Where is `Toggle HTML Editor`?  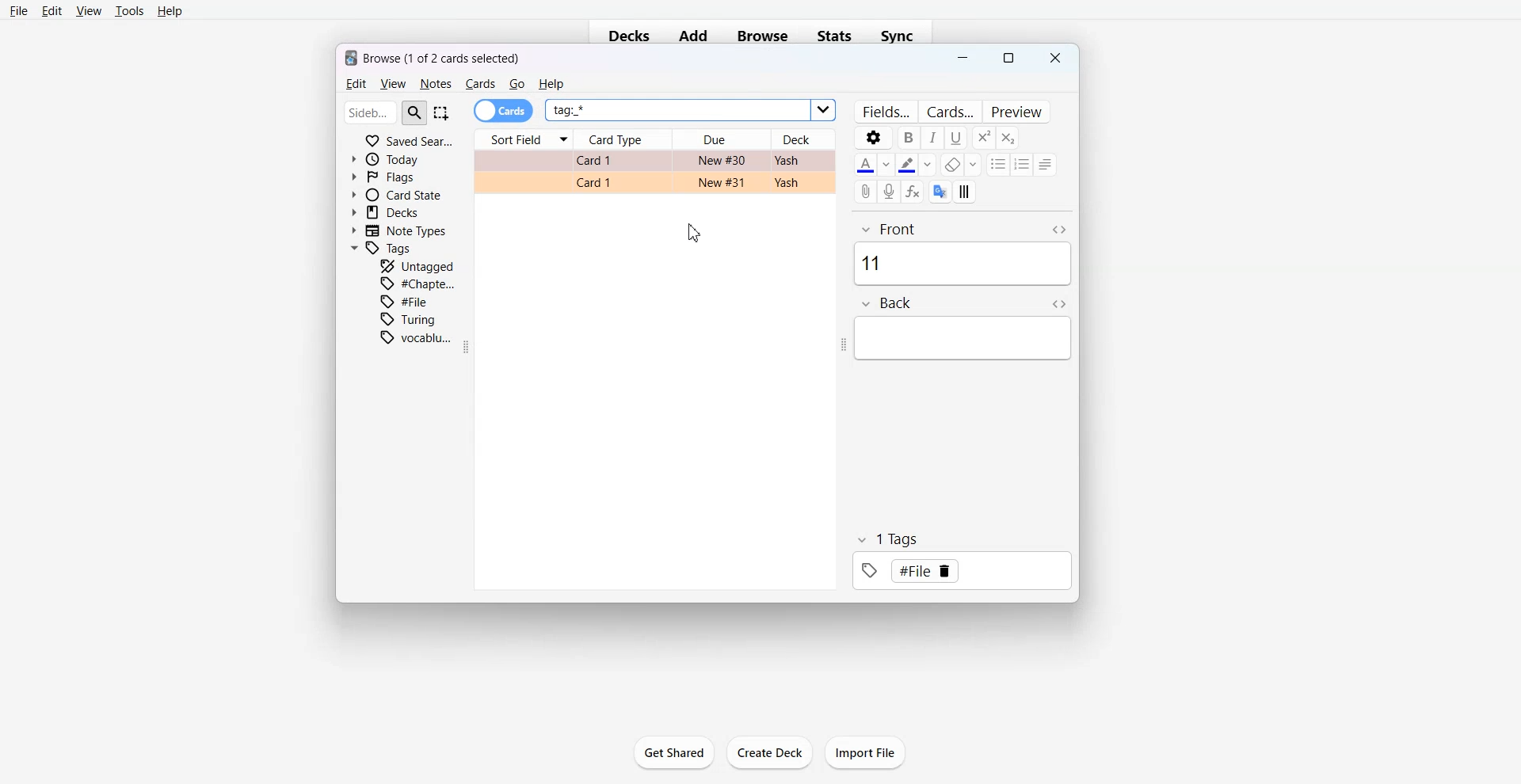 Toggle HTML Editor is located at coordinates (1058, 230).